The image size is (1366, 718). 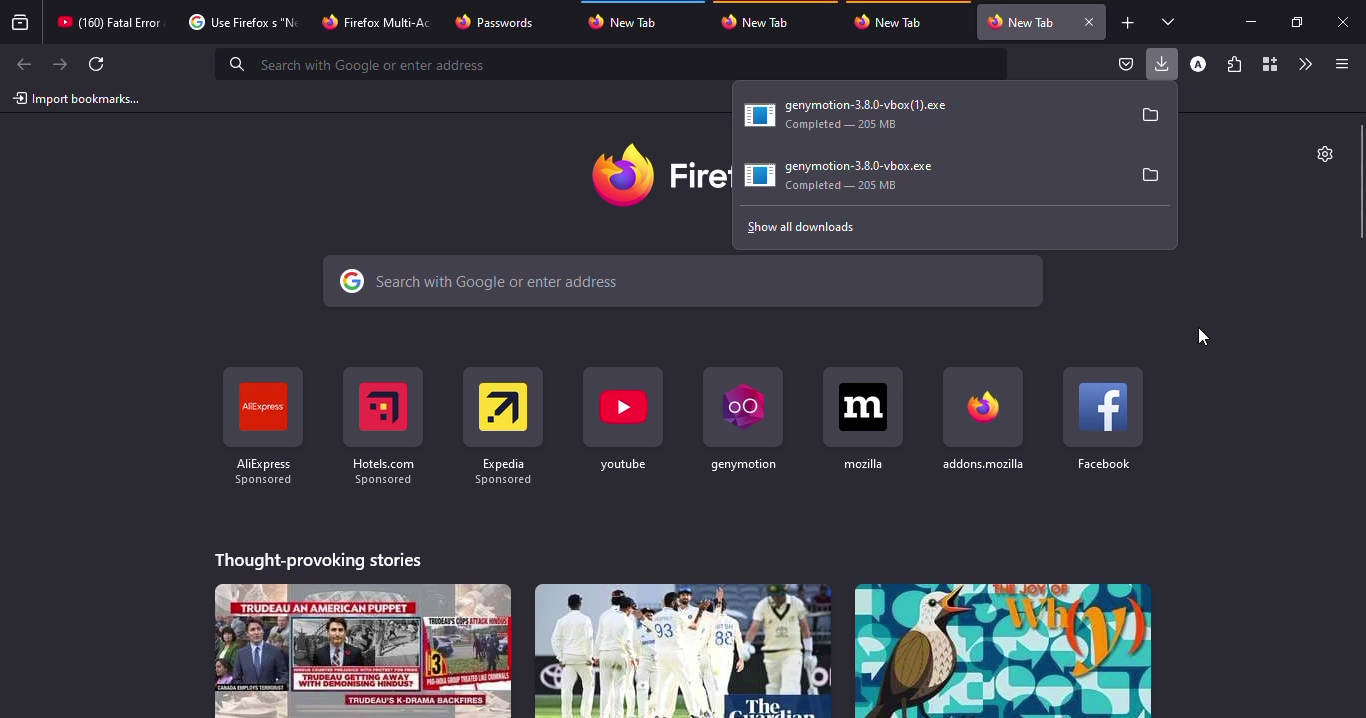 I want to click on tab, so click(x=240, y=22).